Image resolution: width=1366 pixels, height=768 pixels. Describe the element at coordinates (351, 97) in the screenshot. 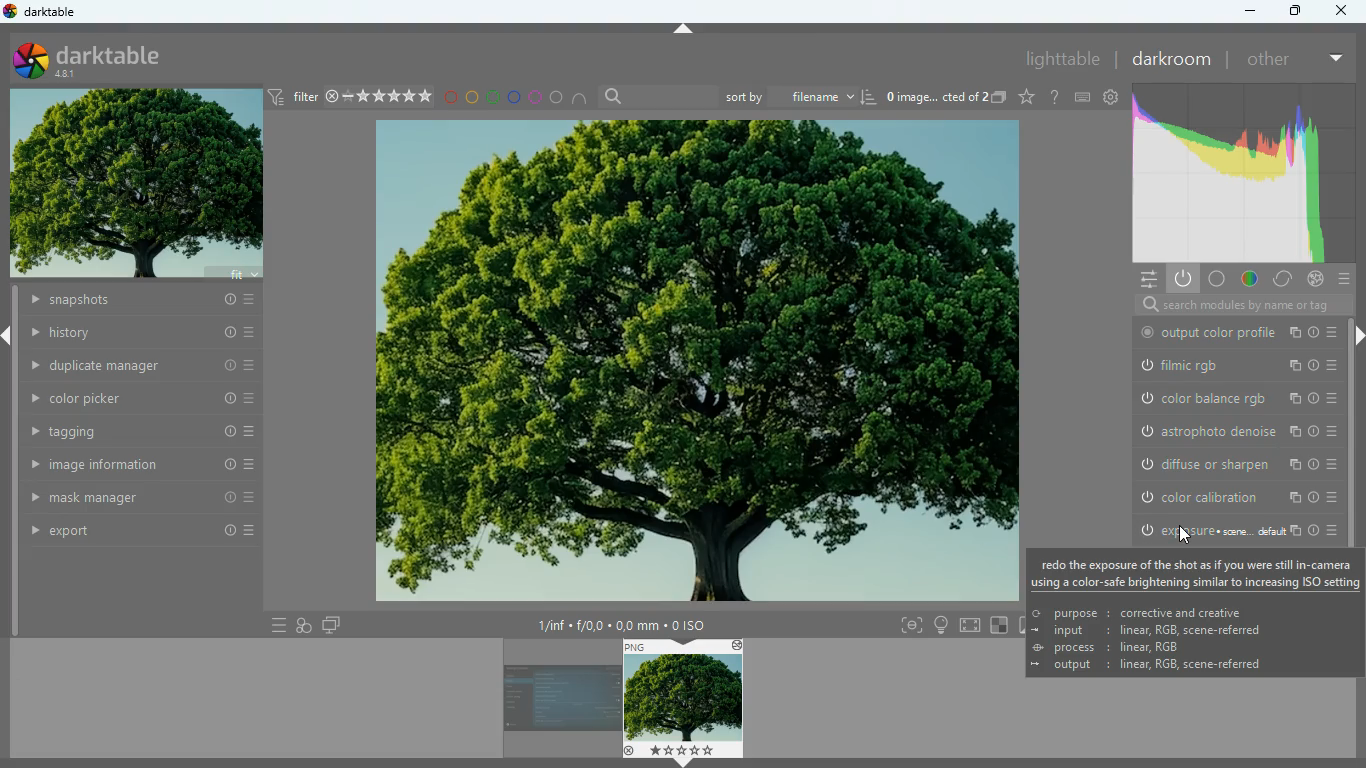

I see `filter` at that location.